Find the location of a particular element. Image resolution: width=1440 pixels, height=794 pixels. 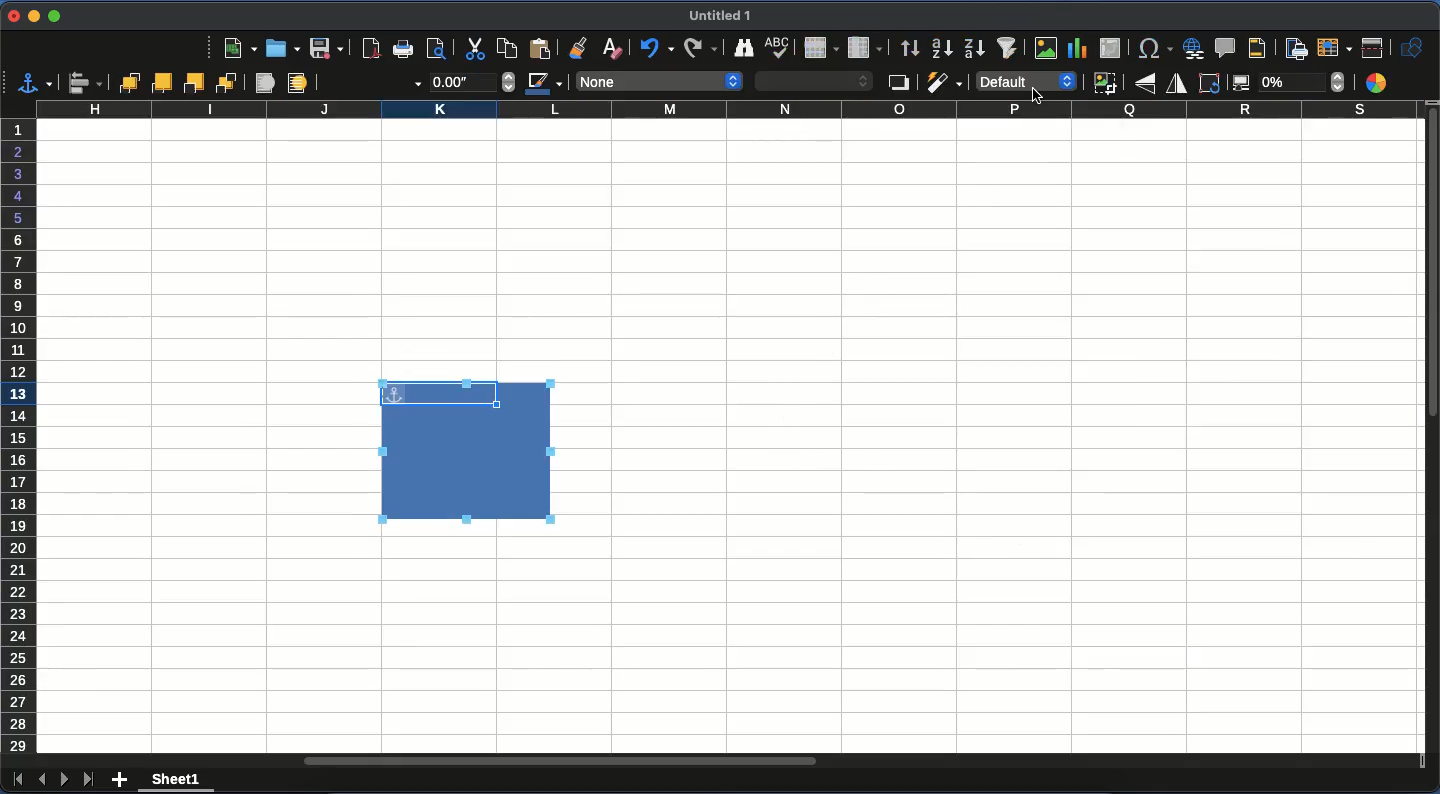

comment is located at coordinates (1226, 47).